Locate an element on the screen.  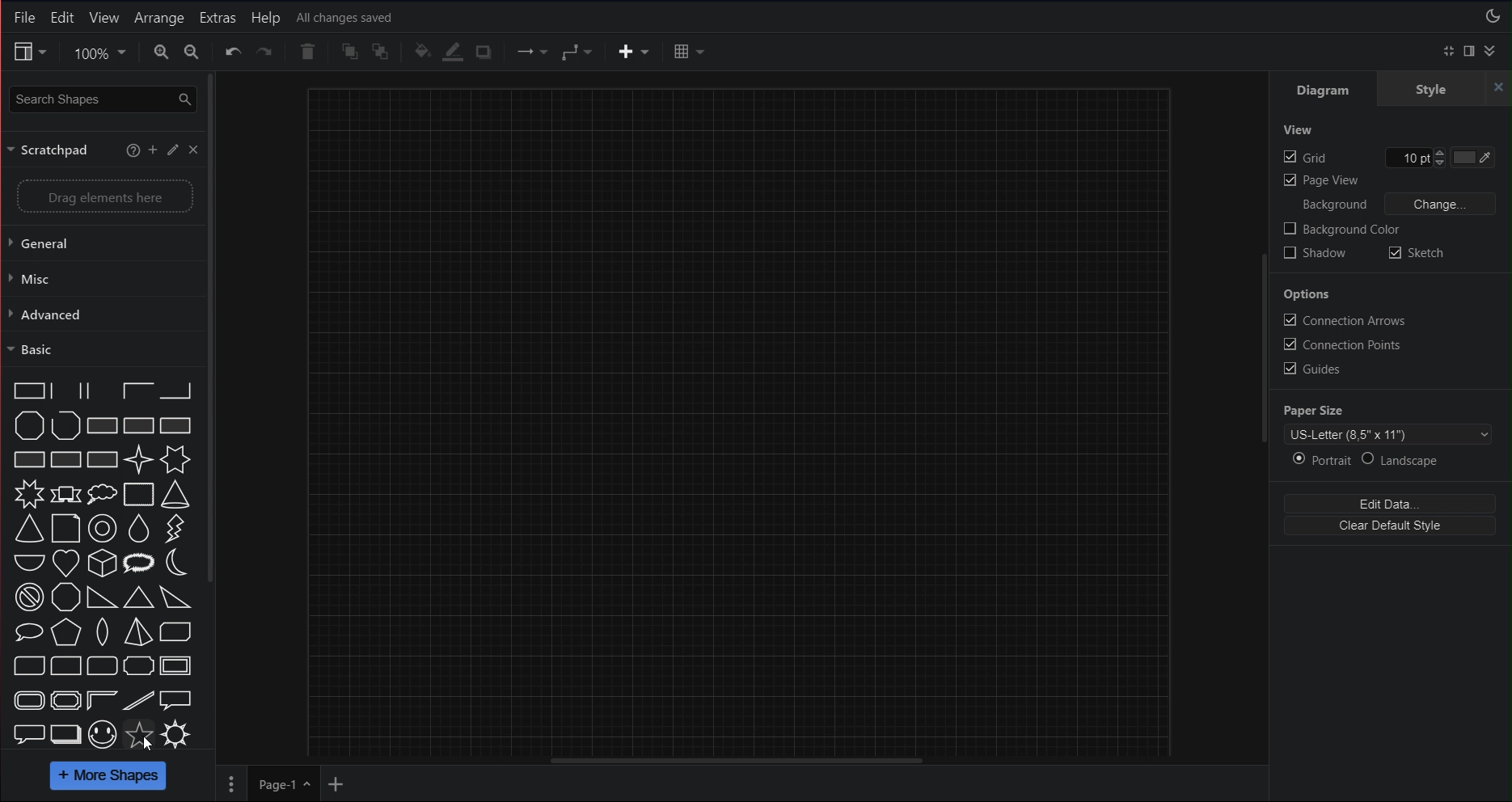
Night Mode is located at coordinates (1494, 17).